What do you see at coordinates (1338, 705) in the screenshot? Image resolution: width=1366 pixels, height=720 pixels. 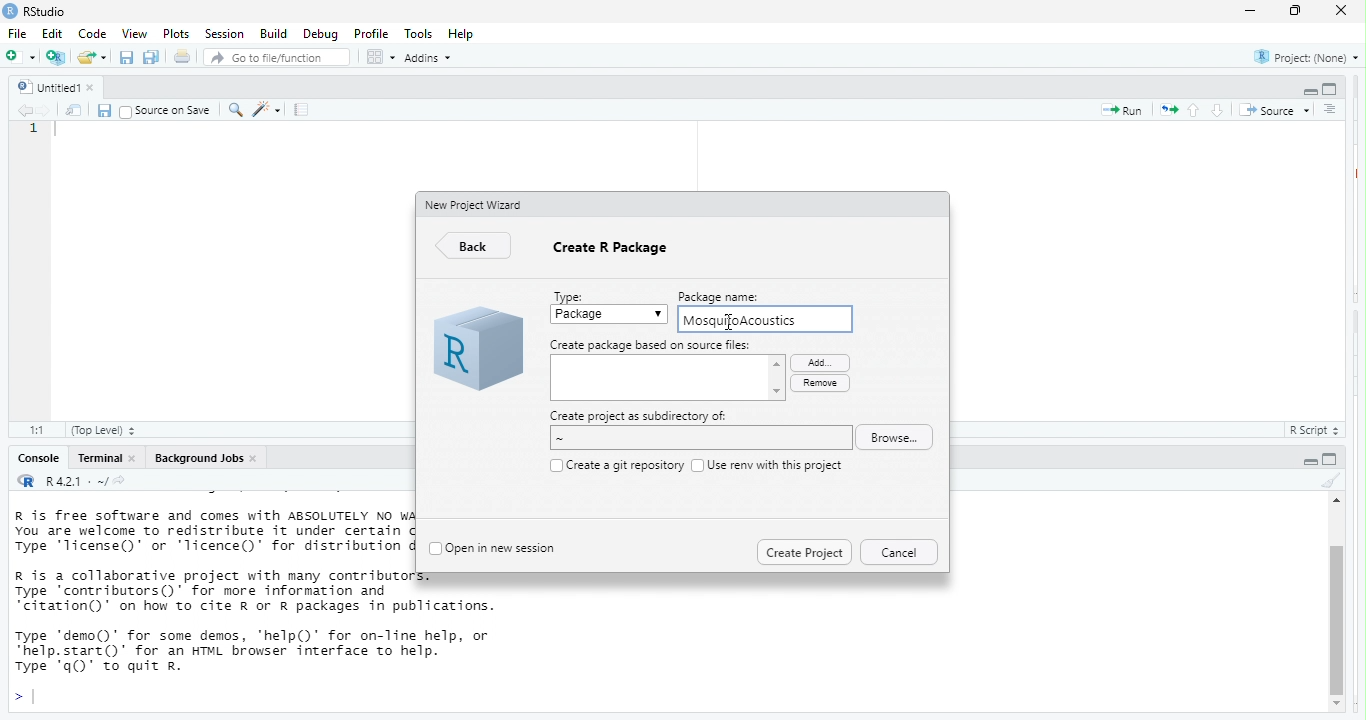 I see `scroll down` at bounding box center [1338, 705].